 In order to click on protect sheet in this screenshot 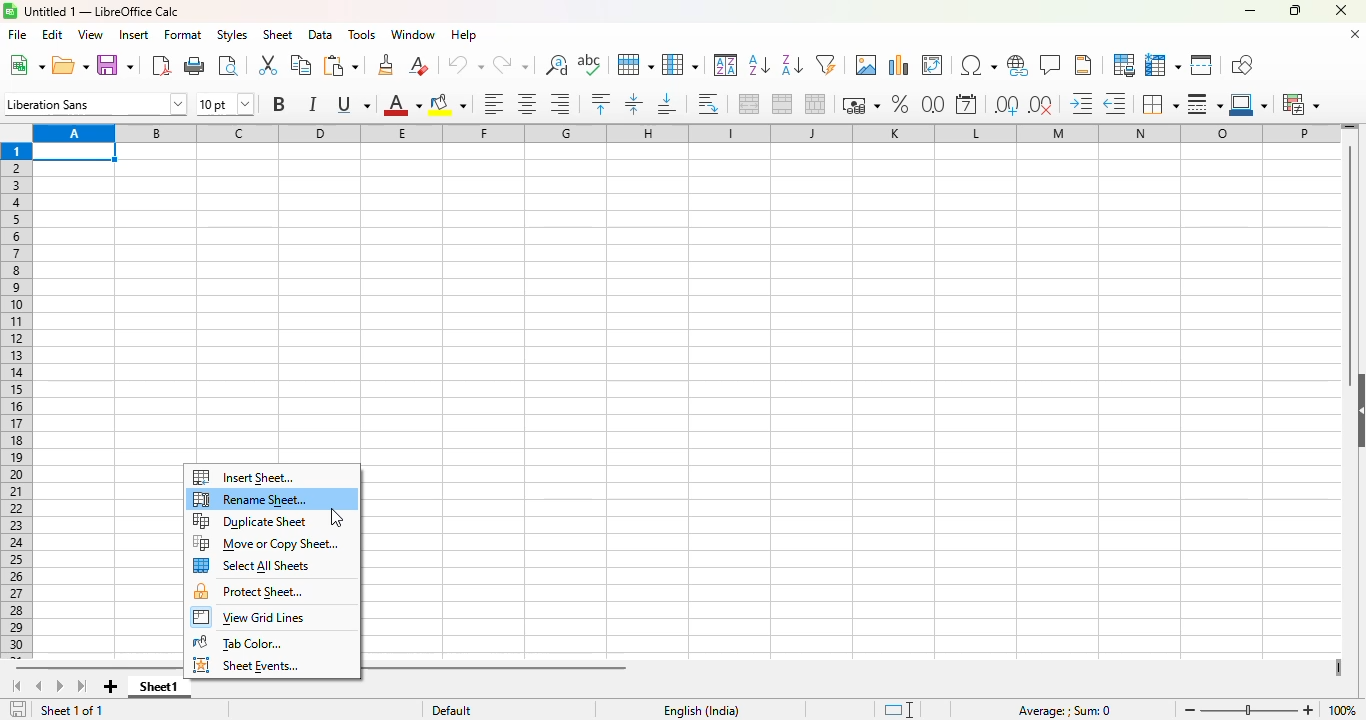, I will do `click(249, 591)`.